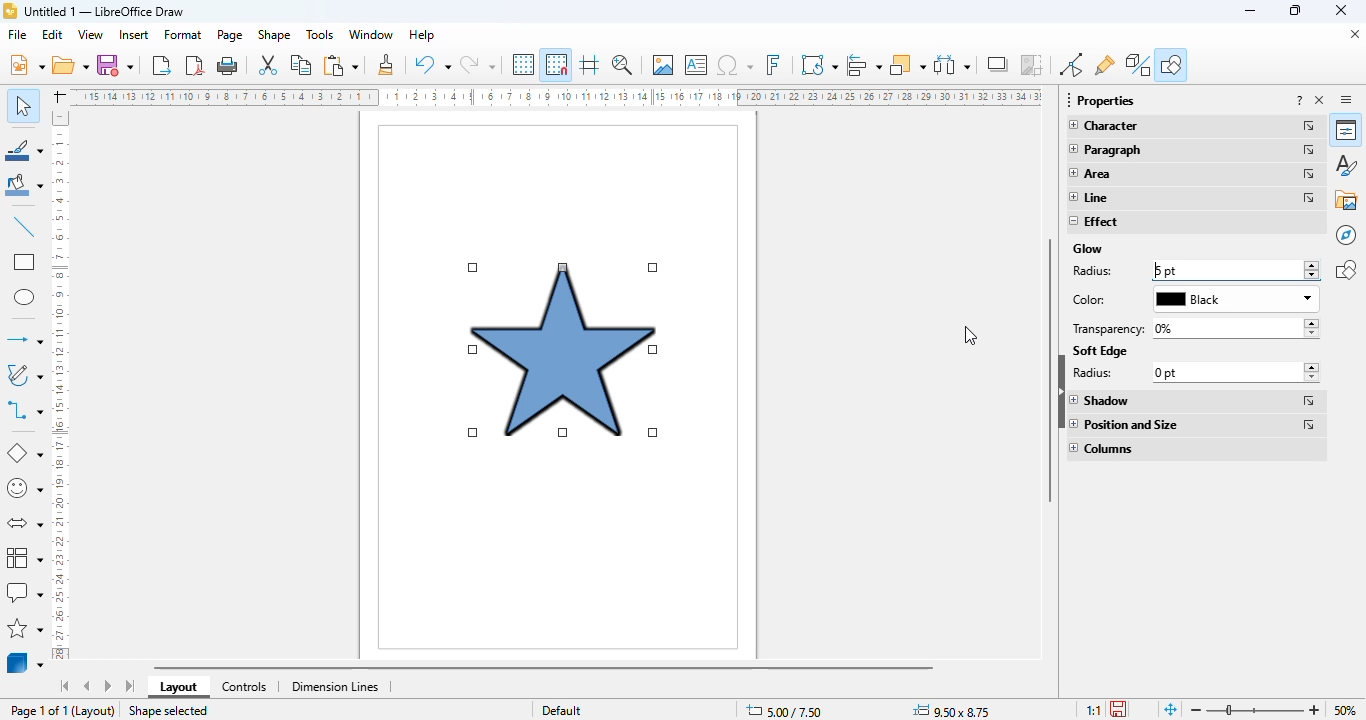 The image size is (1366, 720). What do you see at coordinates (1235, 371) in the screenshot?
I see `0 pt` at bounding box center [1235, 371].